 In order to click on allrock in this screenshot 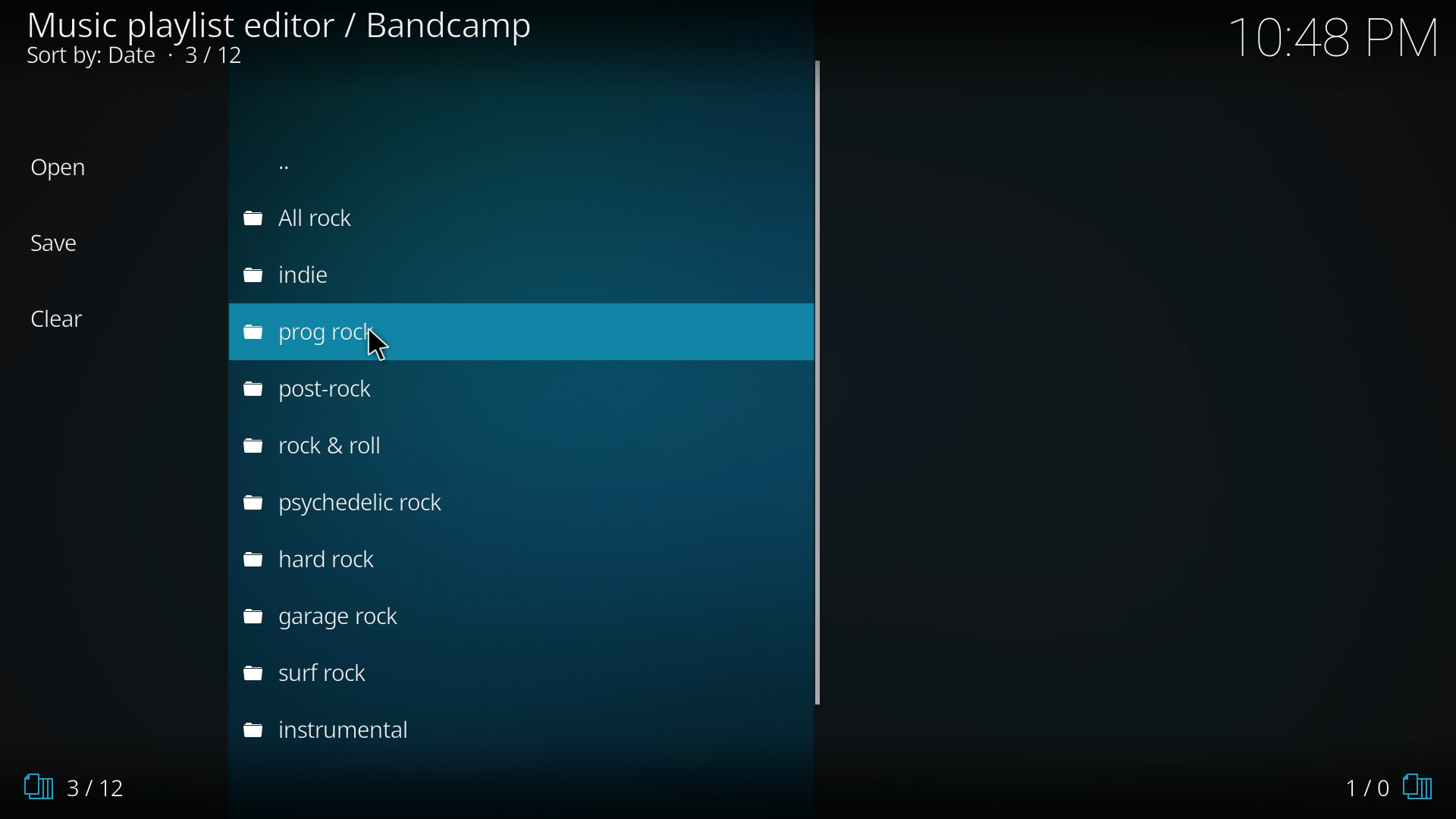, I will do `click(333, 218)`.